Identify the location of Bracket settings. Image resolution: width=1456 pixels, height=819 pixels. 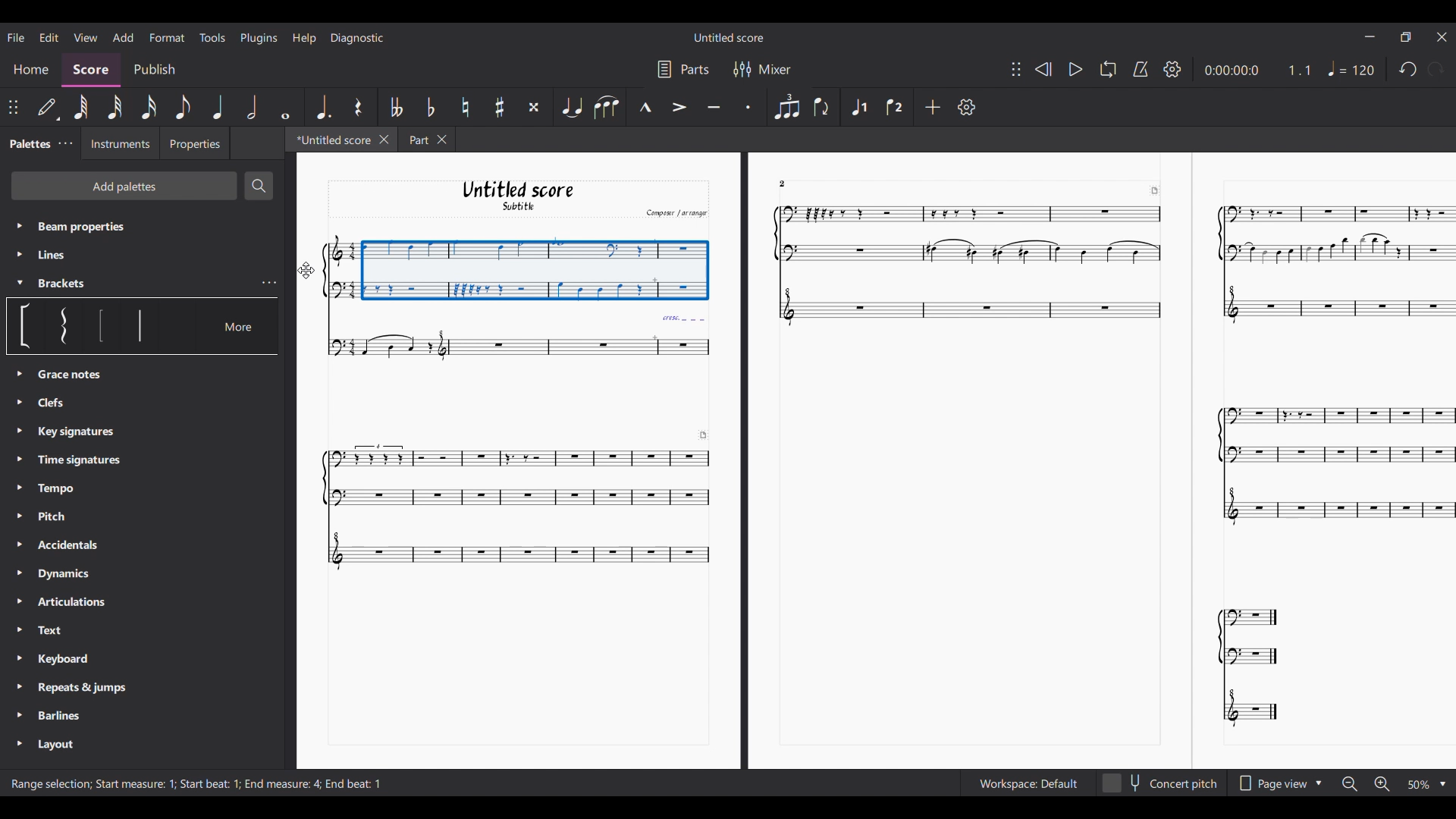
(270, 283).